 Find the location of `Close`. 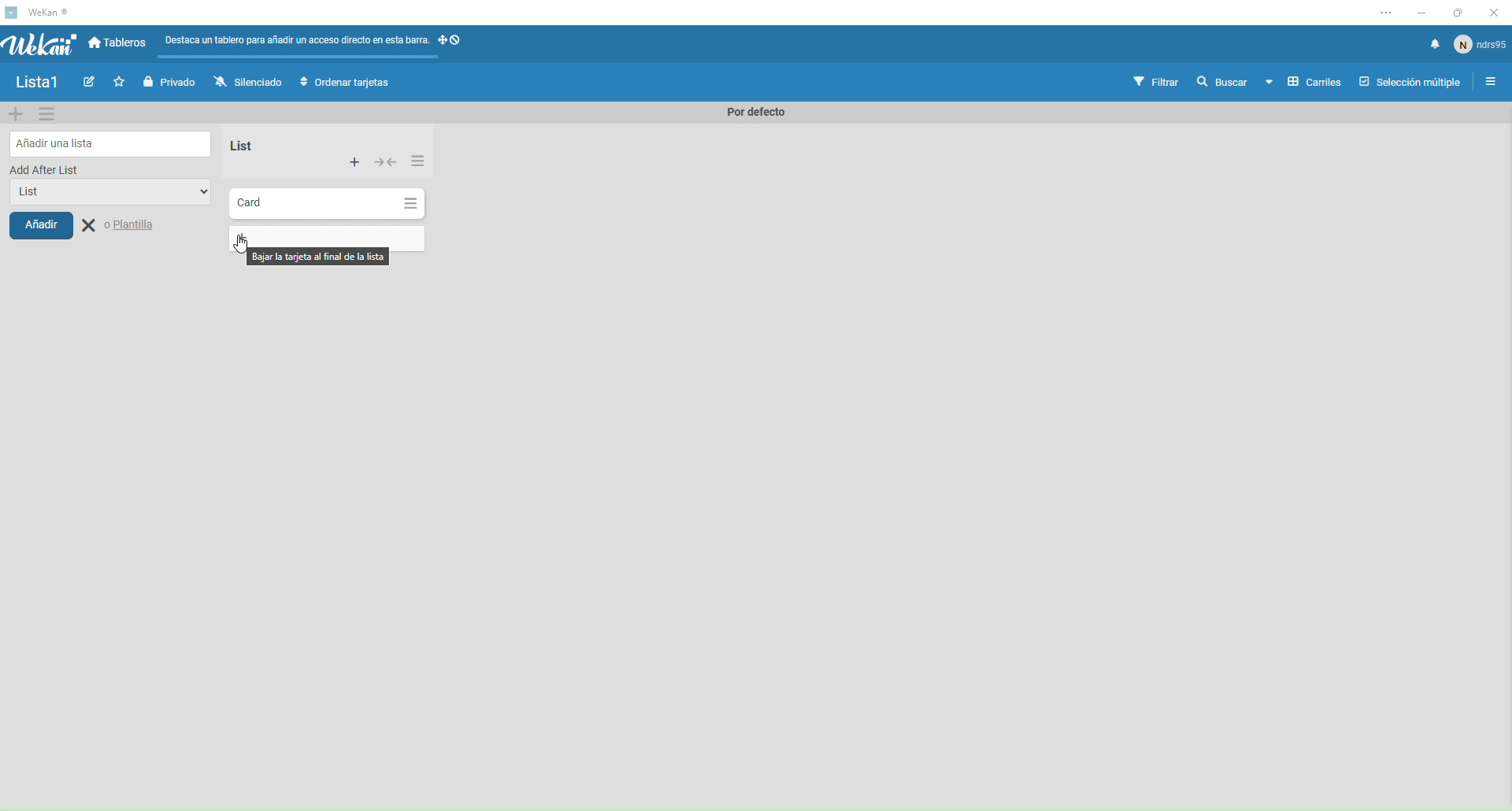

Close is located at coordinates (121, 226).